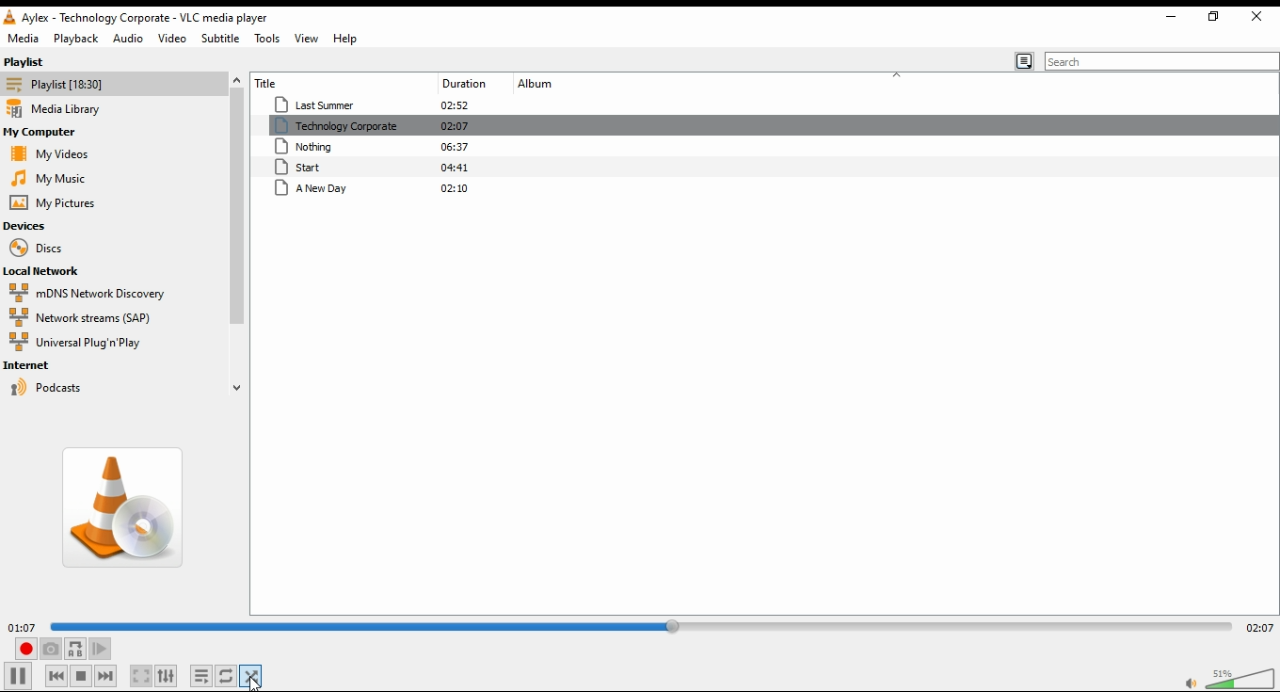  Describe the element at coordinates (390, 125) in the screenshot. I see `technology corporate` at that location.